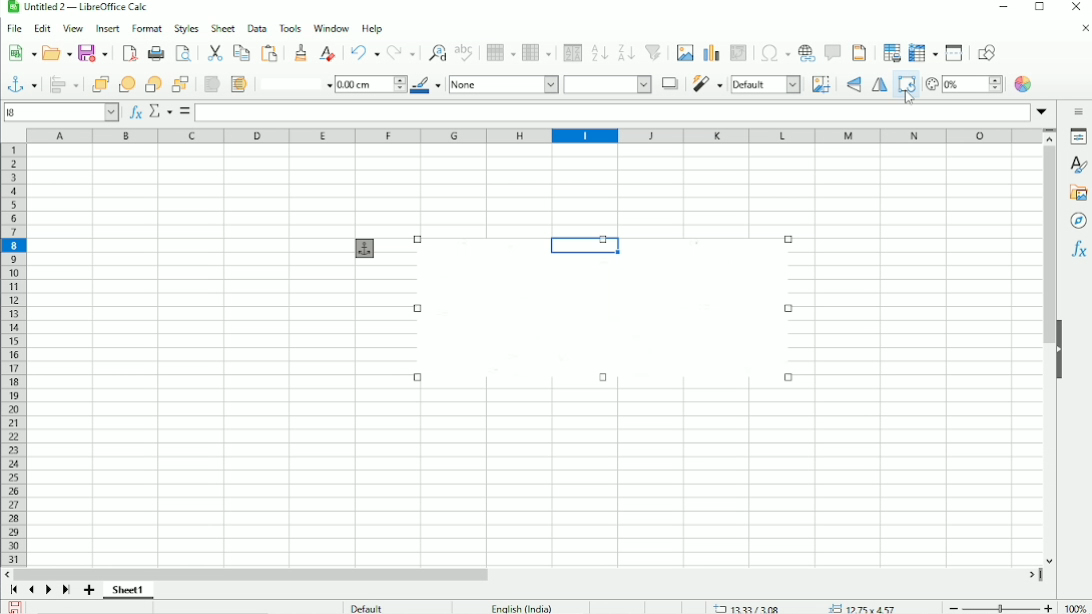 Image resolution: width=1092 pixels, height=614 pixels. Describe the element at coordinates (520, 607) in the screenshot. I see `English (India)` at that location.